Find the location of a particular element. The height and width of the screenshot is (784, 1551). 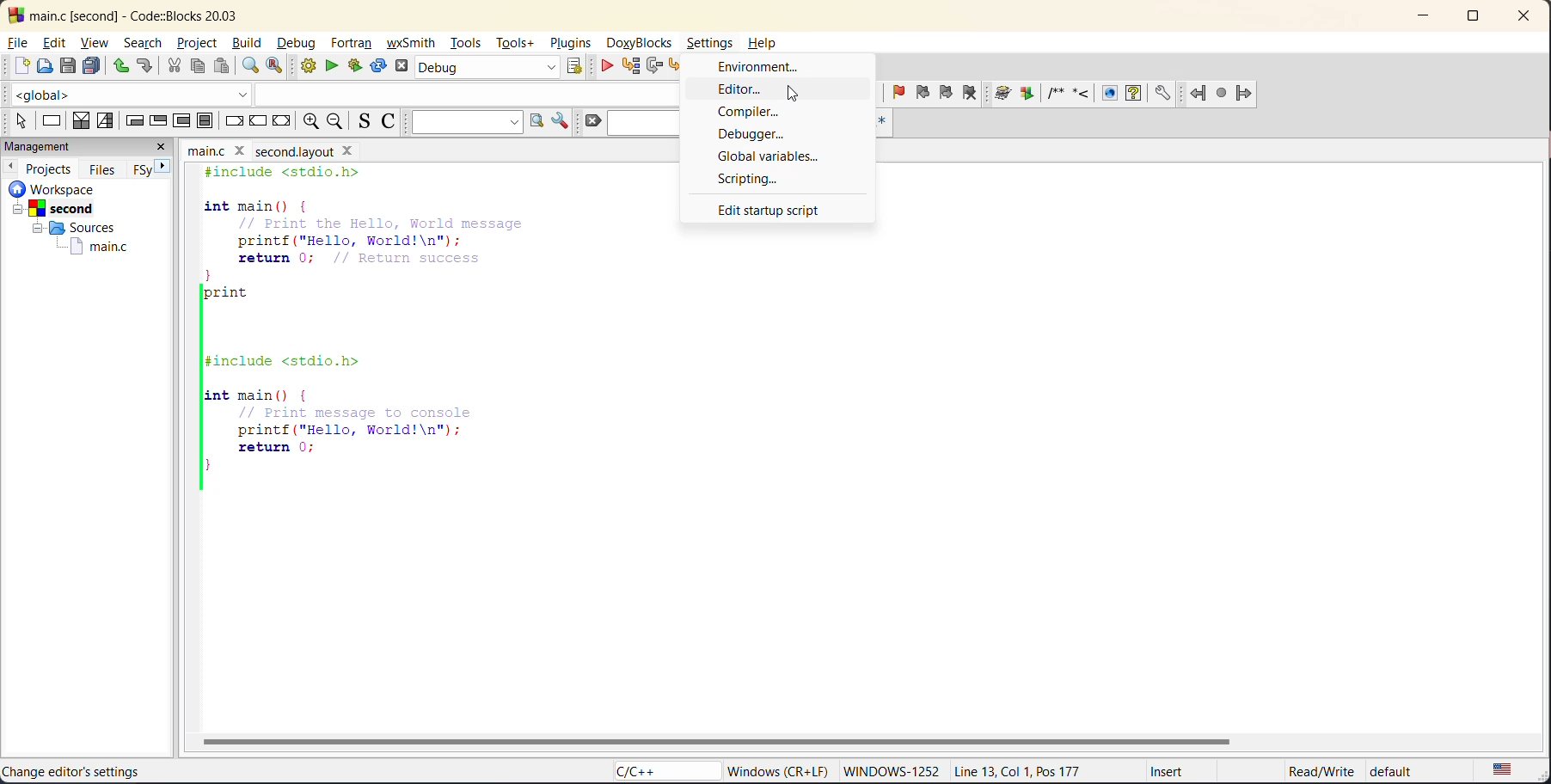

exit condition loop is located at coordinates (161, 119).